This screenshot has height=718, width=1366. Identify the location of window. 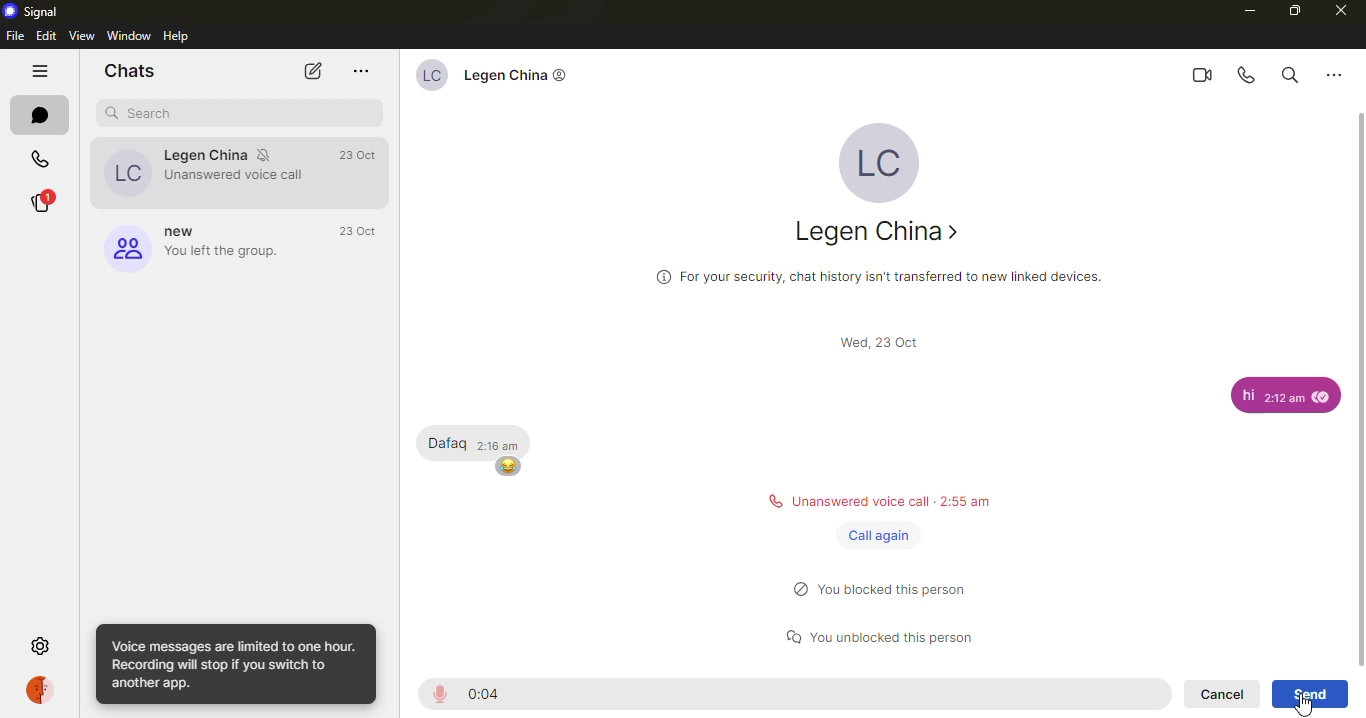
(130, 34).